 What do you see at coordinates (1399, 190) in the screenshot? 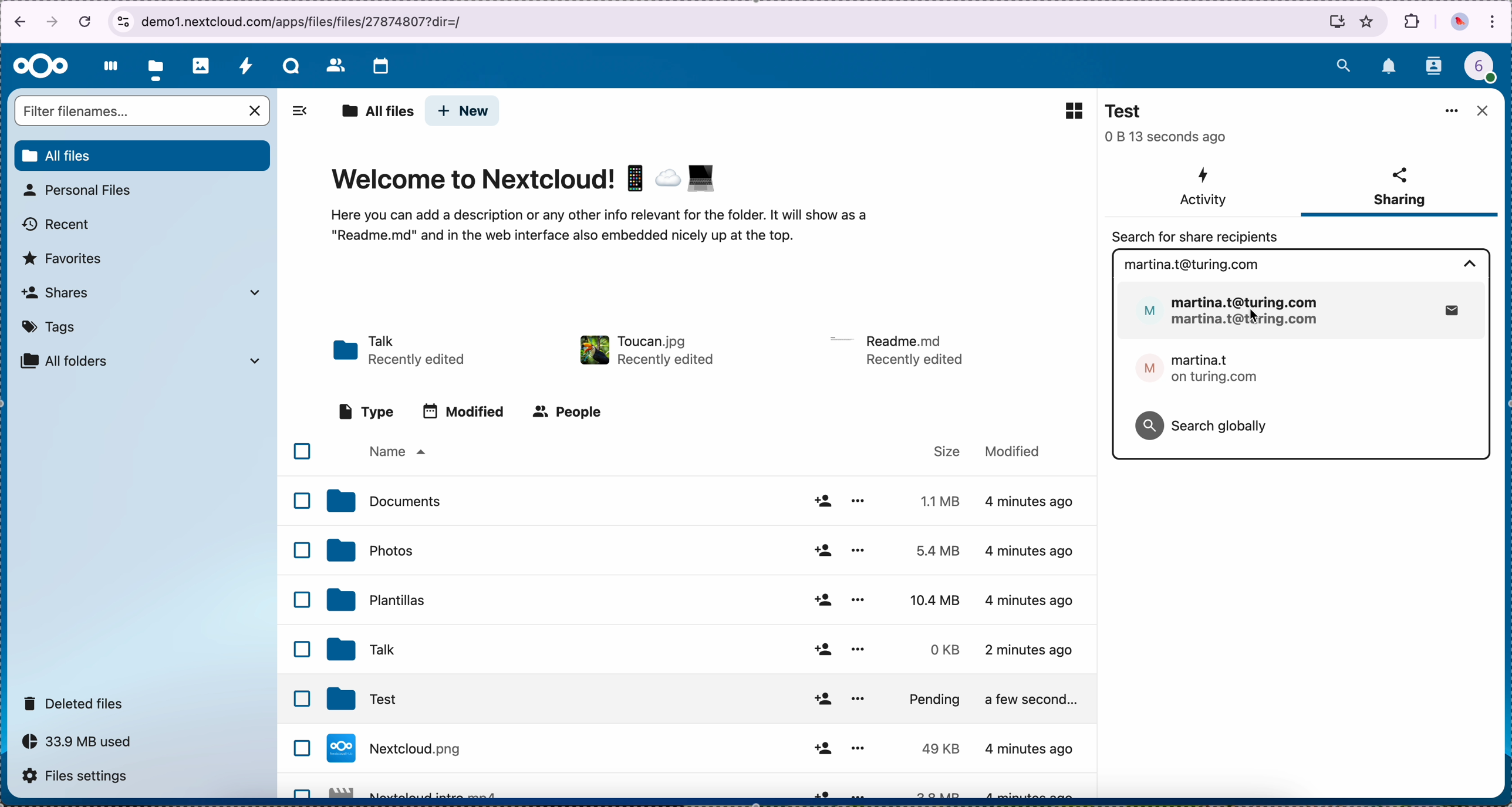
I see `sharing` at bounding box center [1399, 190].